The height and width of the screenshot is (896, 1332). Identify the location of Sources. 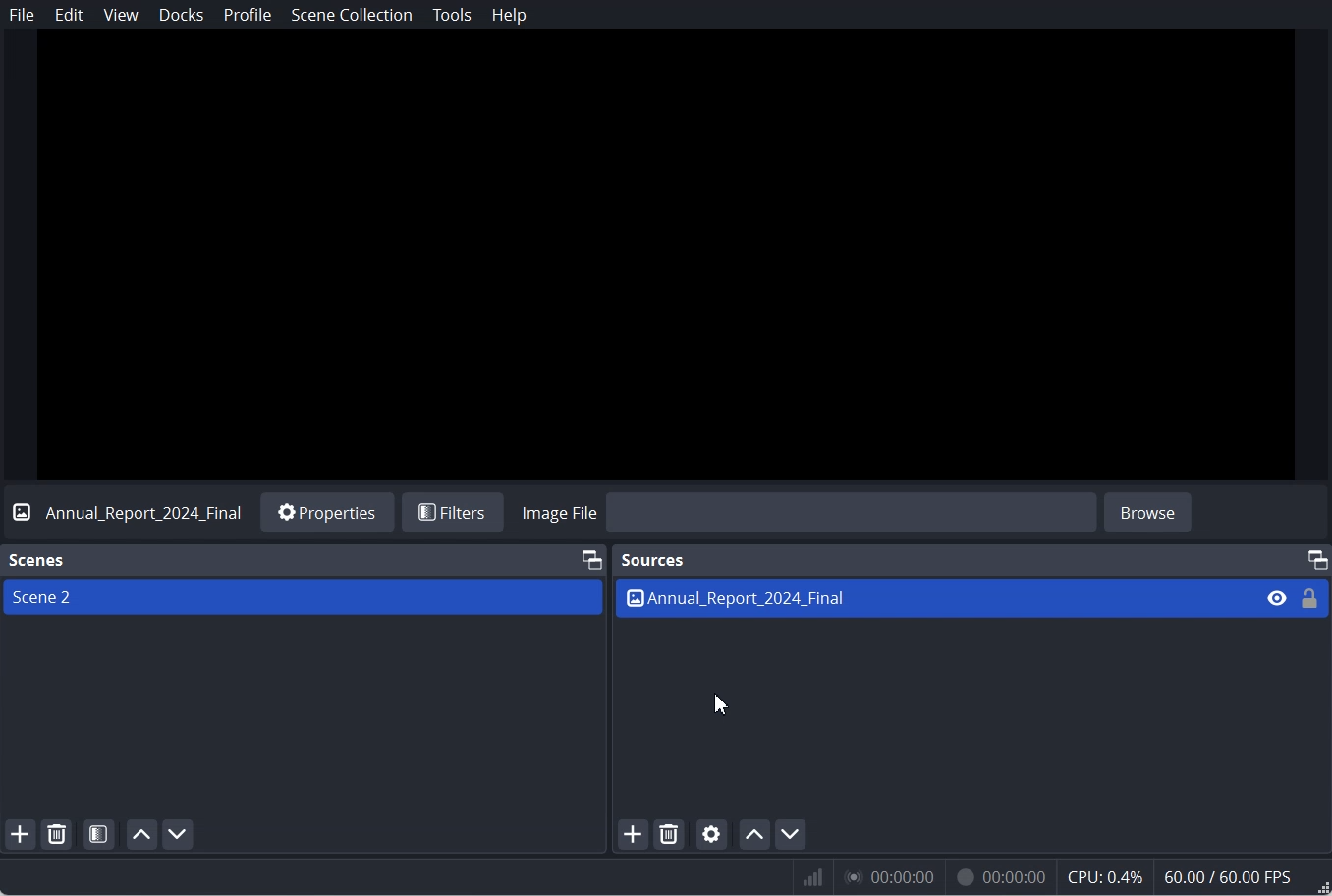
(653, 561).